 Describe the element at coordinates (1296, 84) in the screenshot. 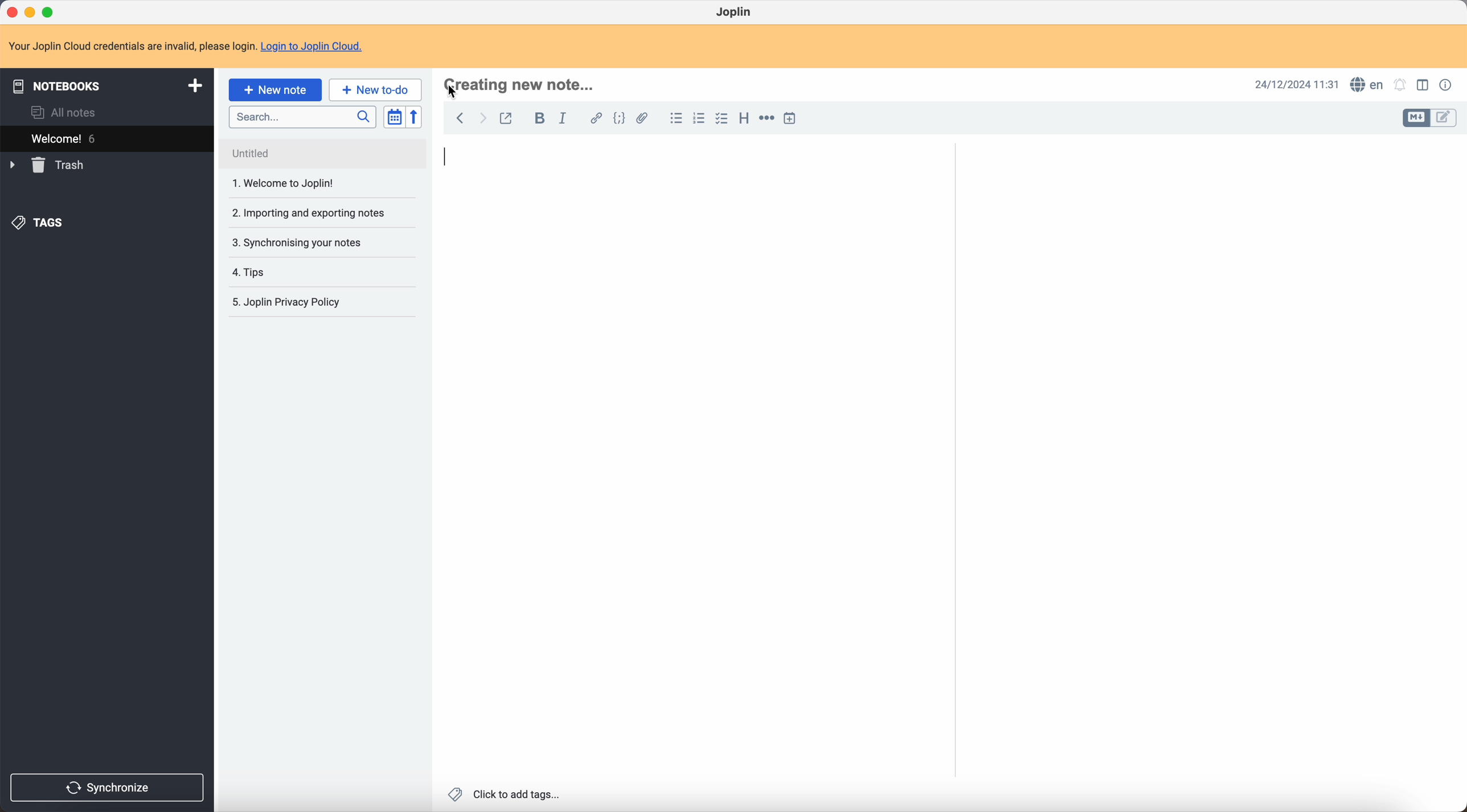

I see `date and hour` at that location.